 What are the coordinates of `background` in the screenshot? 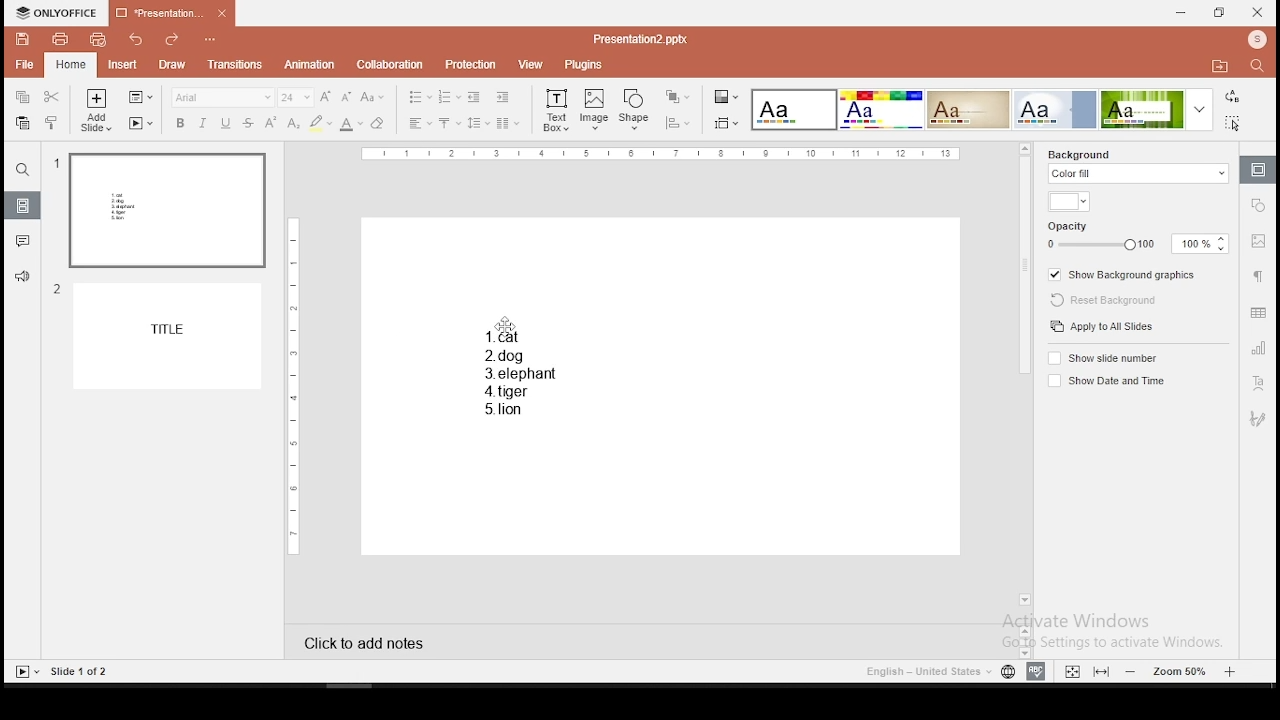 It's located at (1136, 166).